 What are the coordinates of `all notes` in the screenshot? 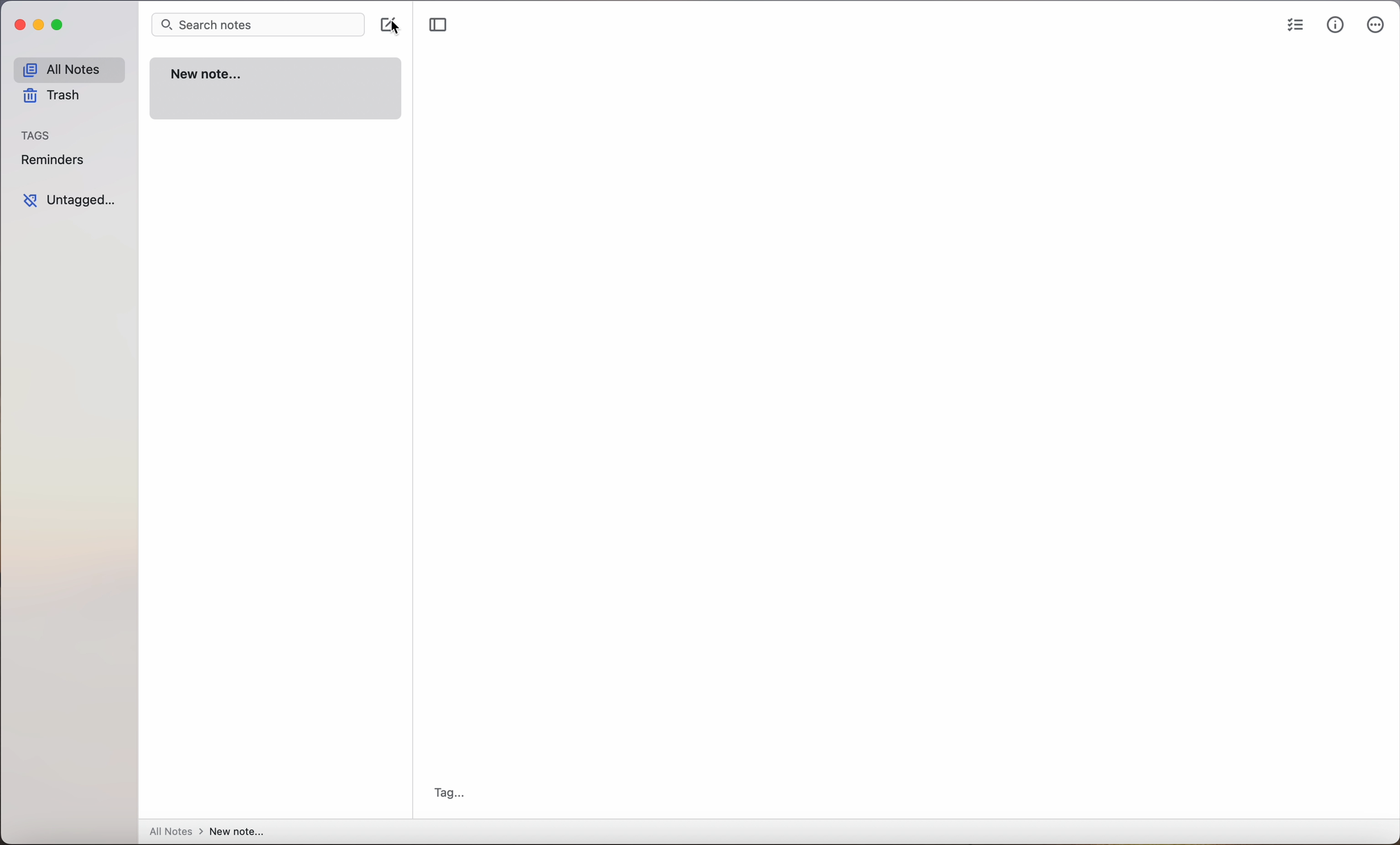 It's located at (68, 70).